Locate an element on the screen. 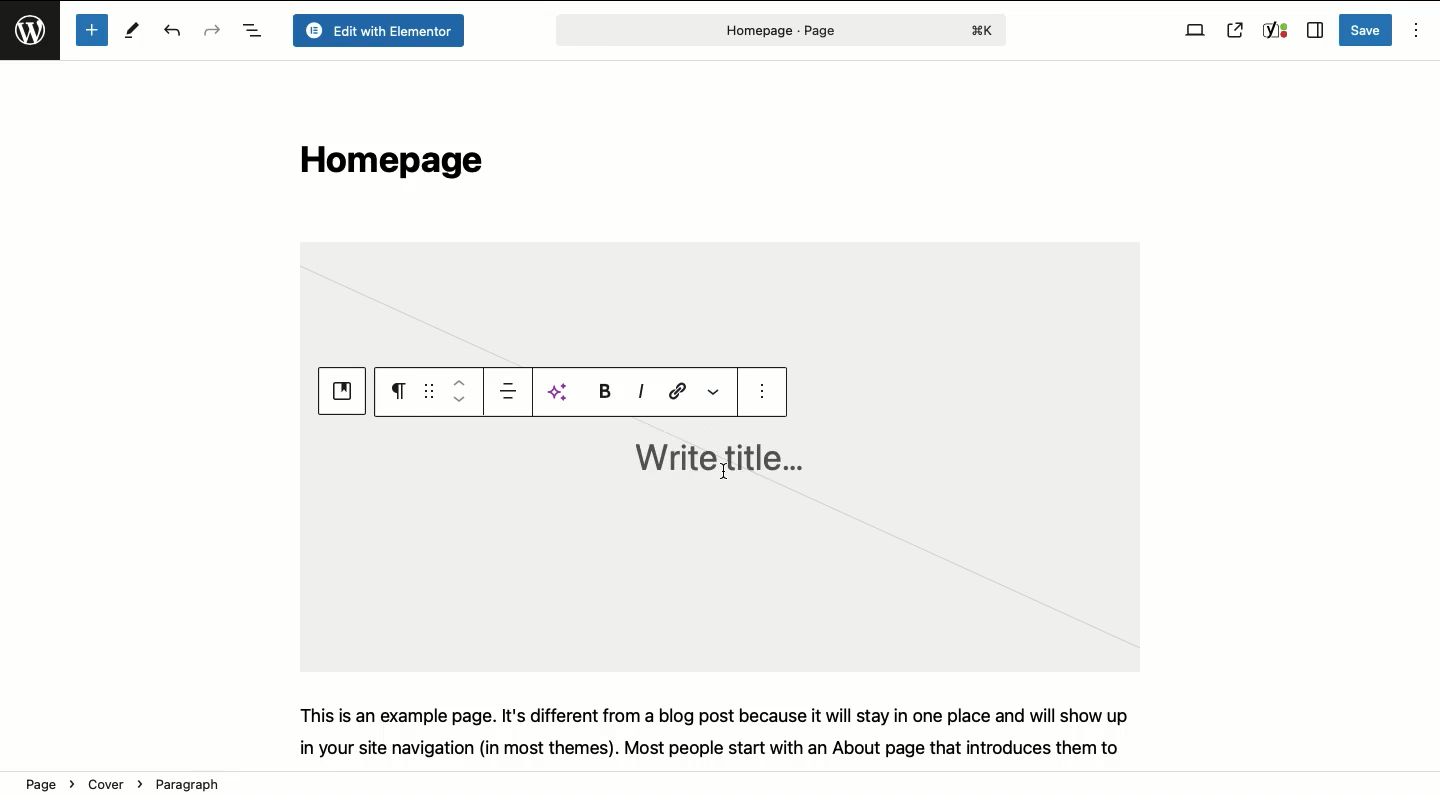  Link is located at coordinates (674, 393).